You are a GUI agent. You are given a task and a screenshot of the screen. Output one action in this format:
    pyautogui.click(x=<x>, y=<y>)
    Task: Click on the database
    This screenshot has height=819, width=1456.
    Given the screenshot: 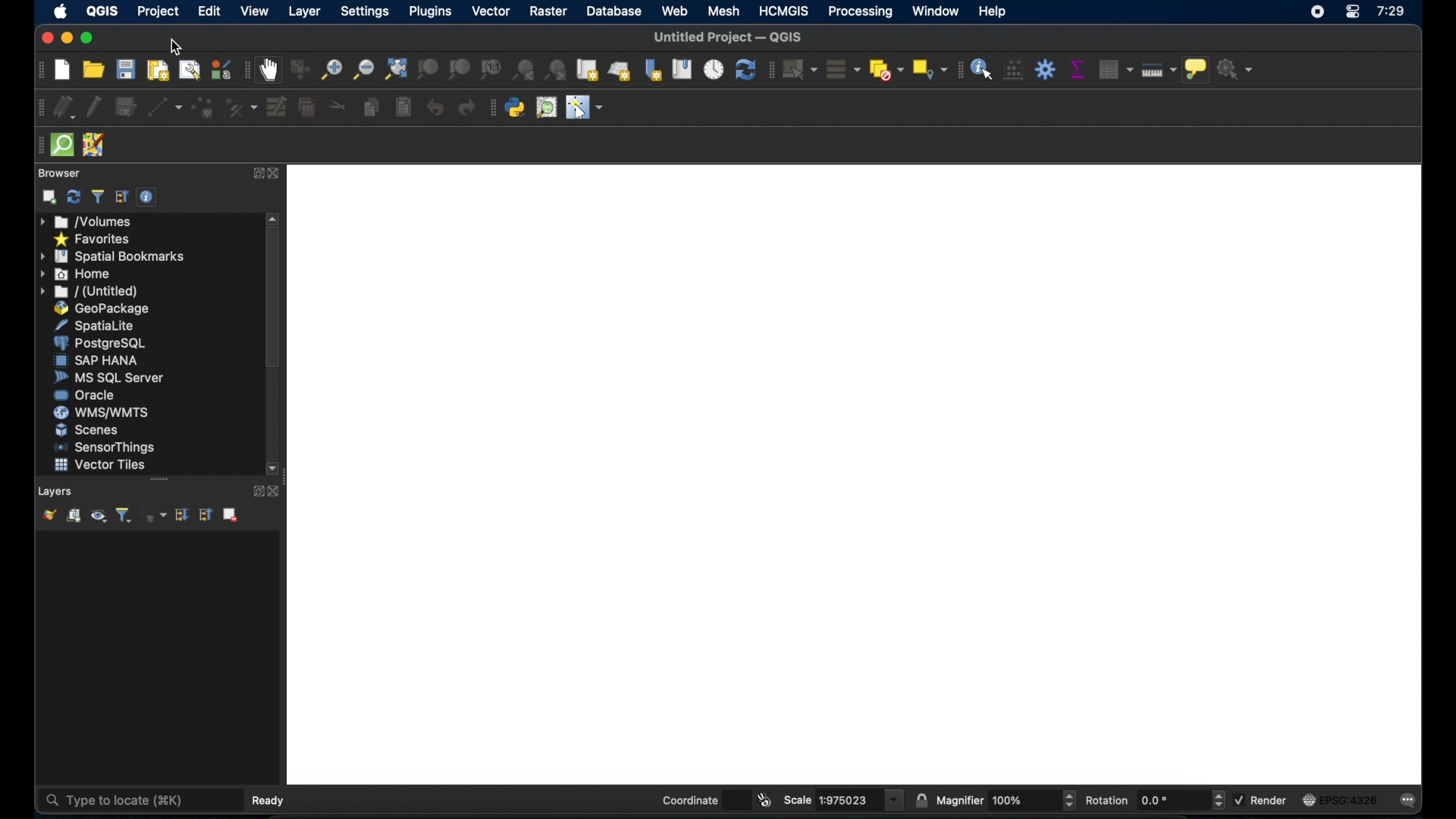 What is the action you would take?
    pyautogui.click(x=616, y=12)
    